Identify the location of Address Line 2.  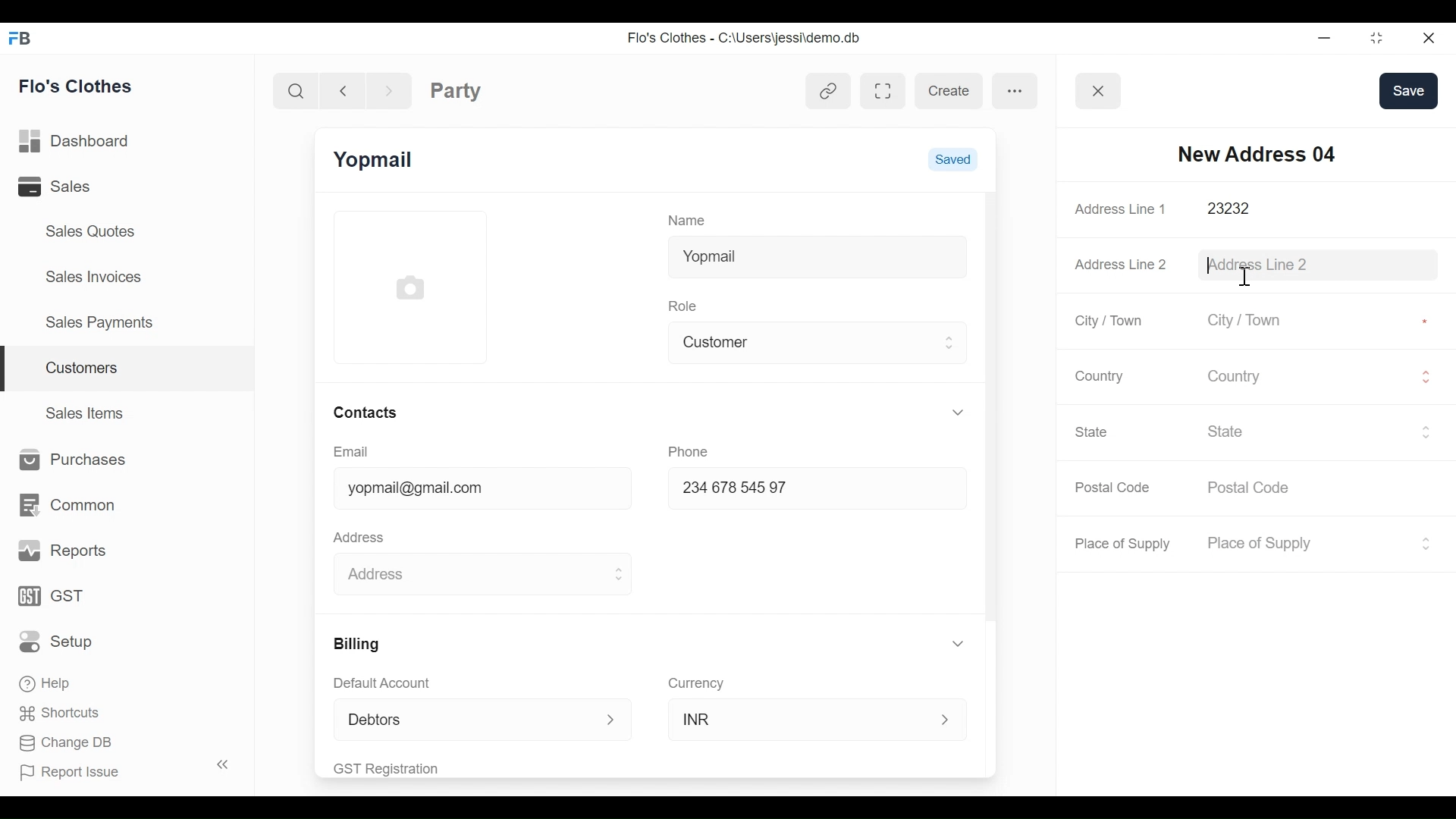
(1321, 266).